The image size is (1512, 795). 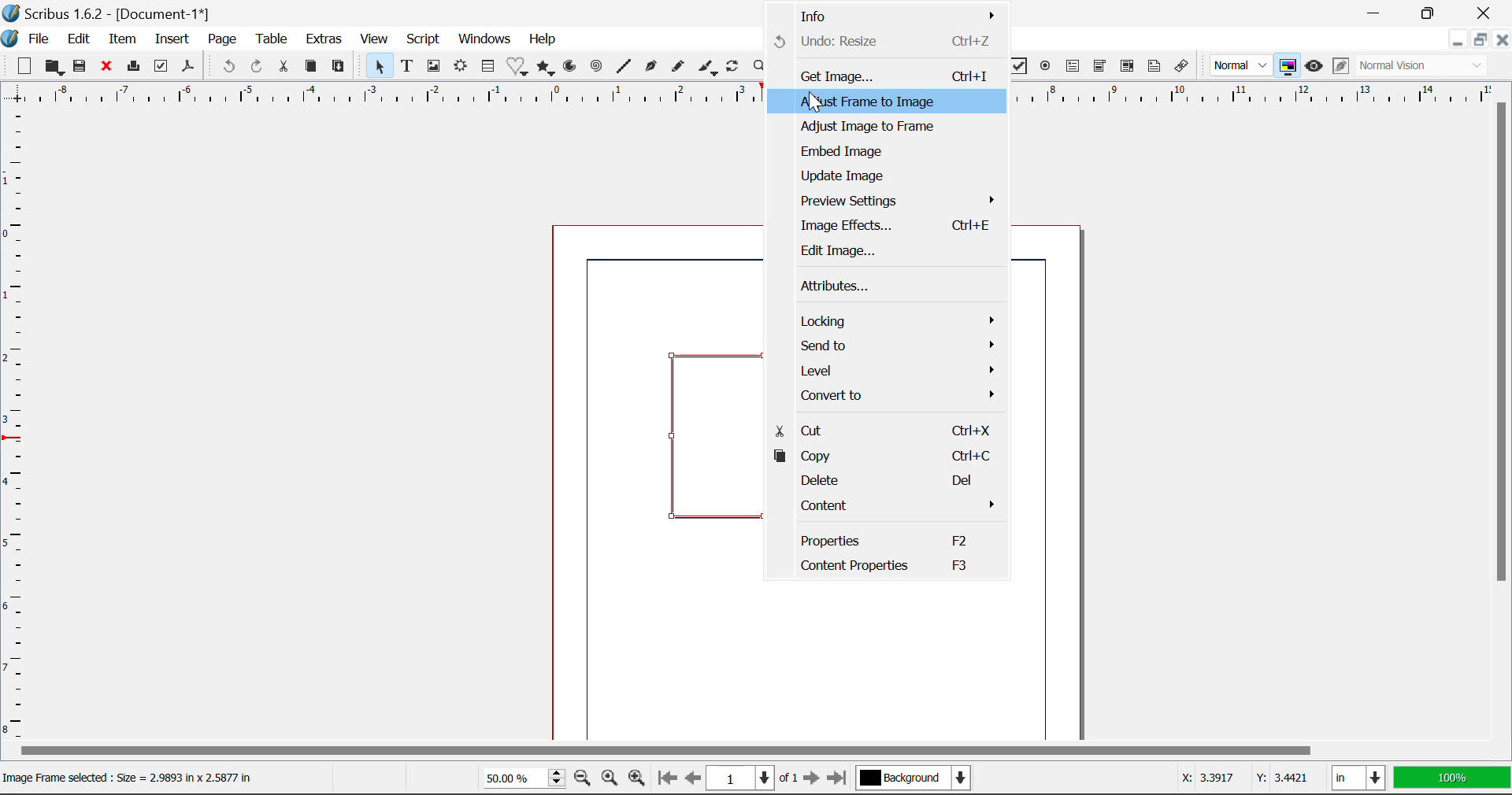 What do you see at coordinates (190, 66) in the screenshot?
I see `Save as Pdf` at bounding box center [190, 66].